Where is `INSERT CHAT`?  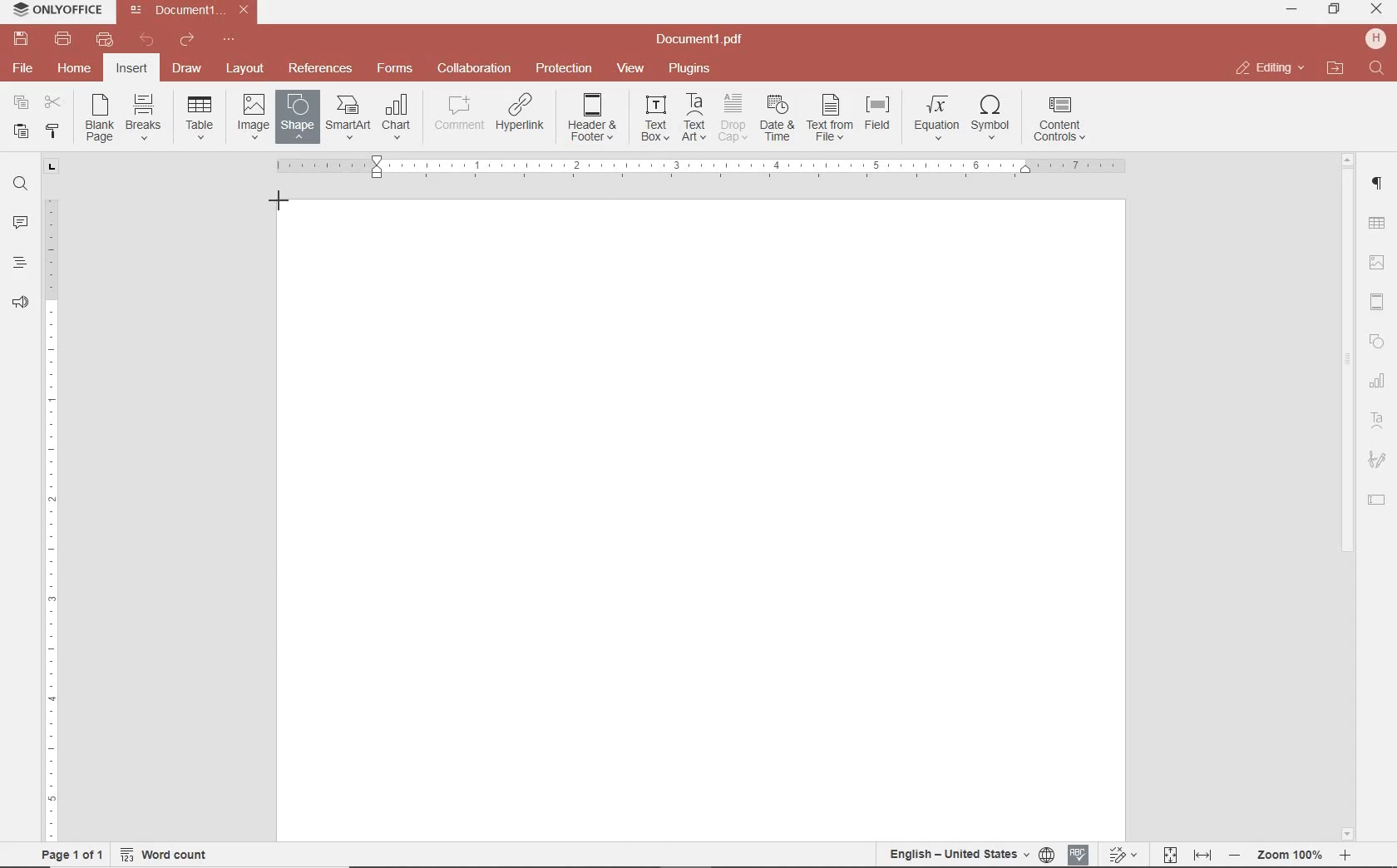 INSERT CHAT is located at coordinates (397, 118).